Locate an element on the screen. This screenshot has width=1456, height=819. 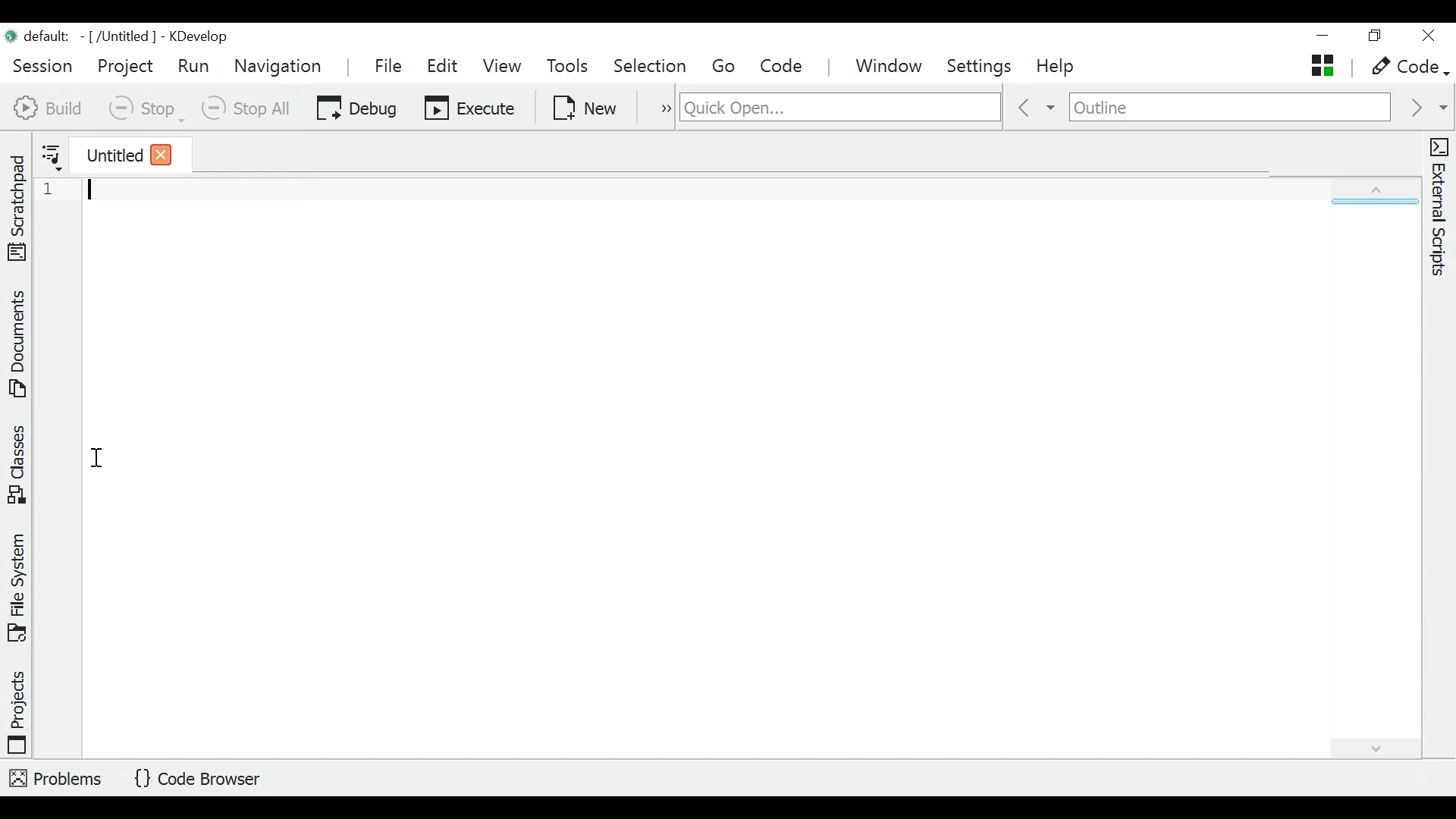
External Scripts is located at coordinates (1439, 208).